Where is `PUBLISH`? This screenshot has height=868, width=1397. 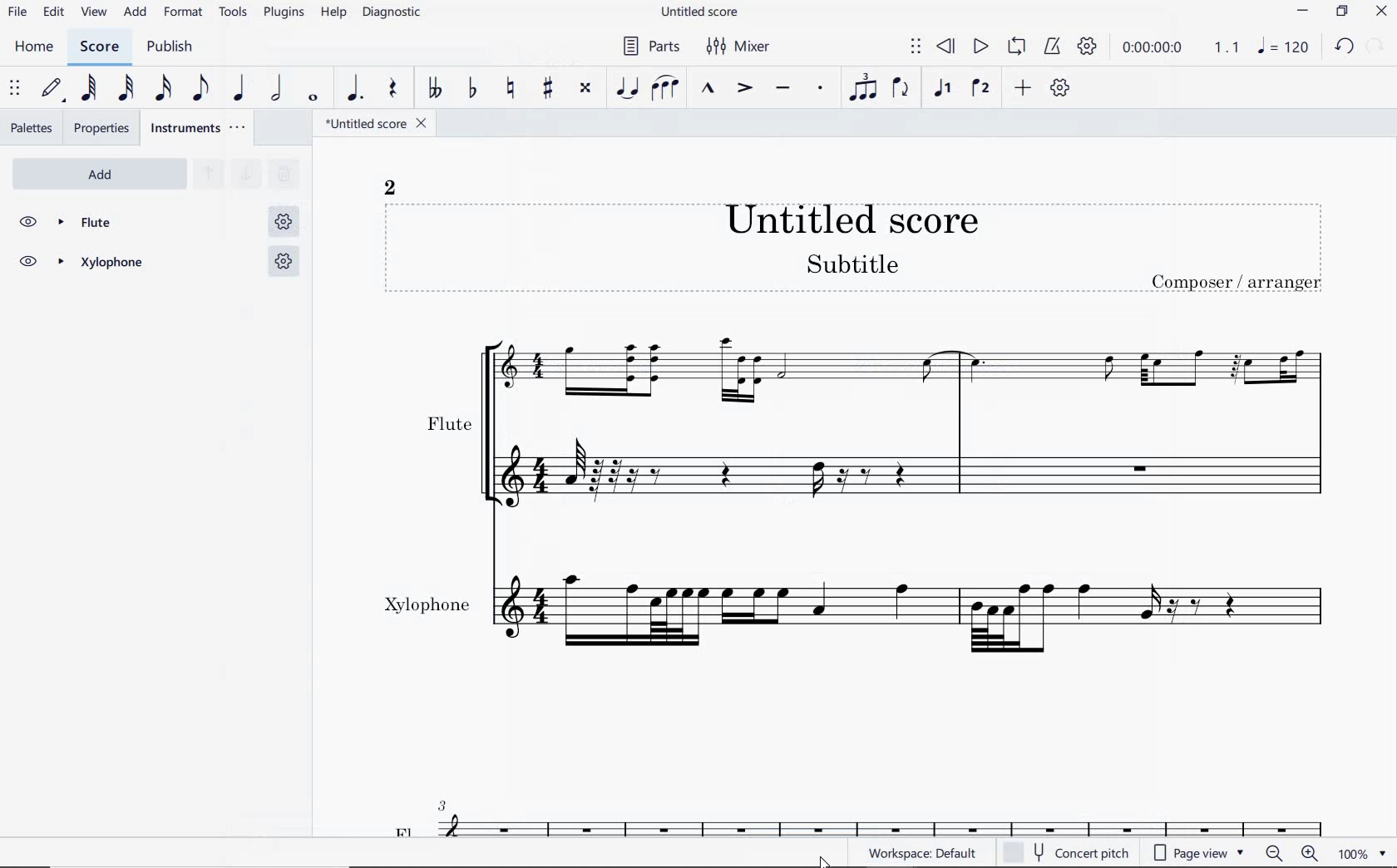 PUBLISH is located at coordinates (174, 47).